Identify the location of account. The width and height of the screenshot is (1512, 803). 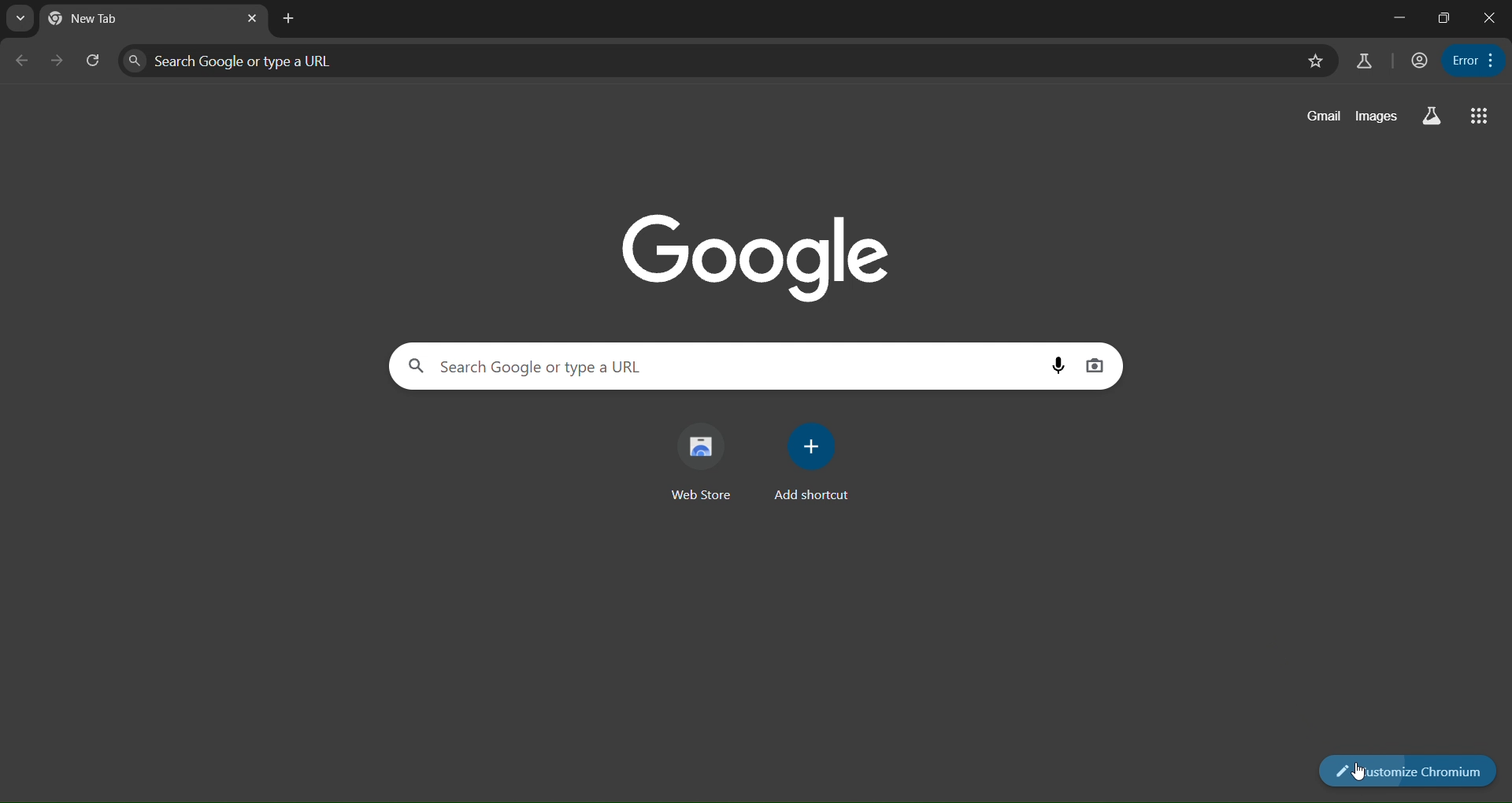
(1418, 60).